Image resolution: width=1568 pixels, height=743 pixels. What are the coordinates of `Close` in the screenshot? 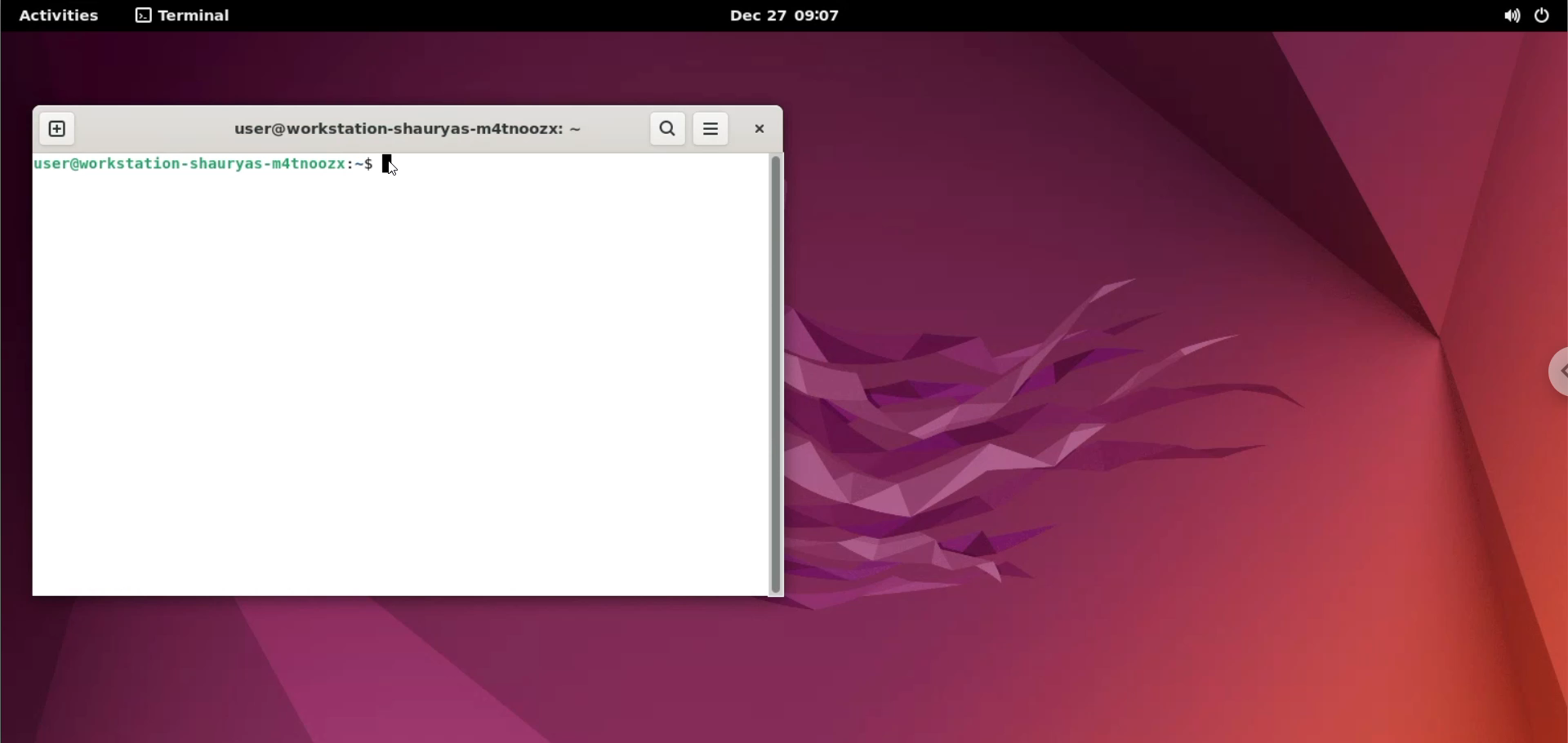 It's located at (759, 131).